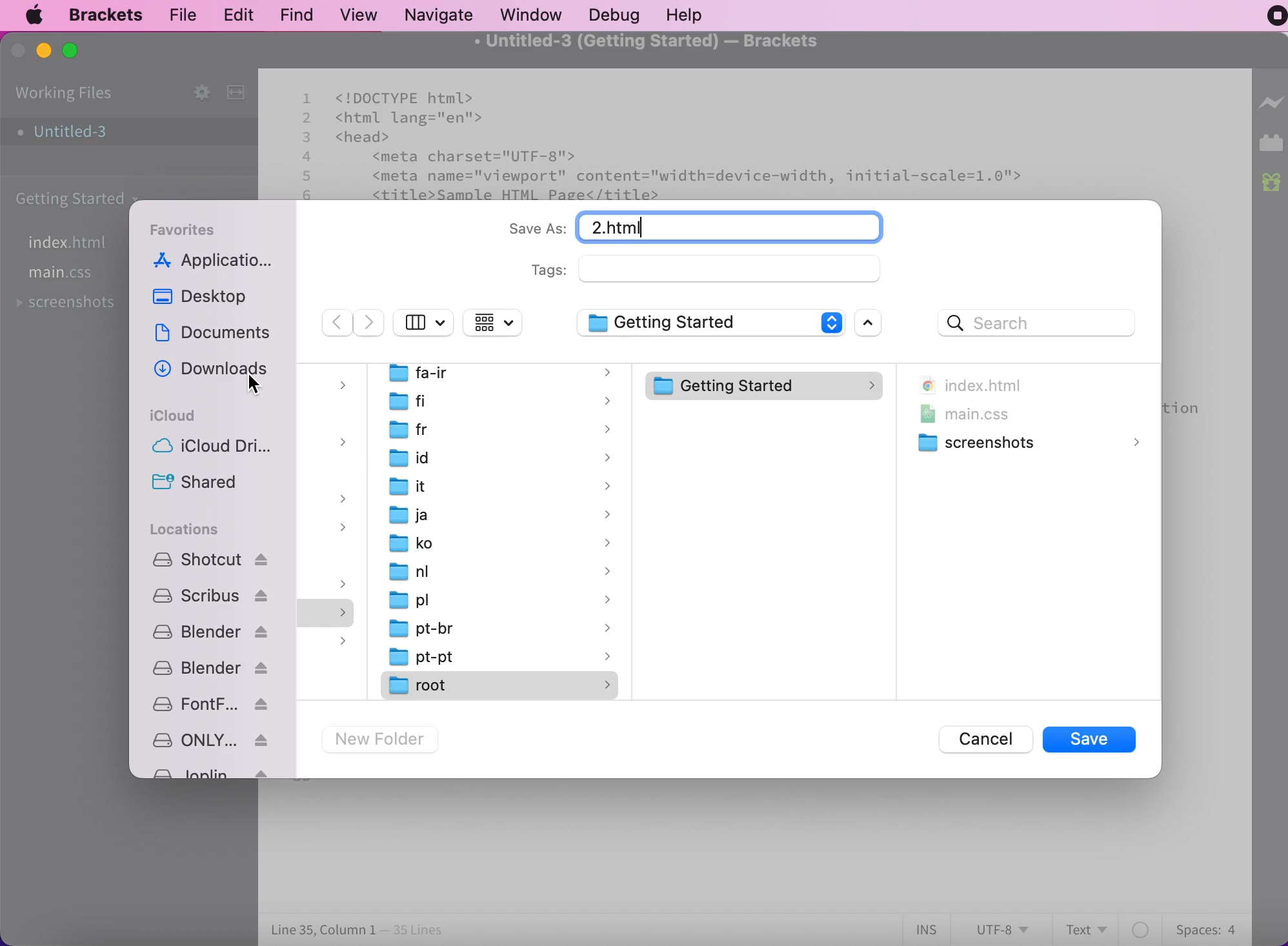 This screenshot has height=946, width=1288. What do you see at coordinates (64, 94) in the screenshot?
I see `working files` at bounding box center [64, 94].